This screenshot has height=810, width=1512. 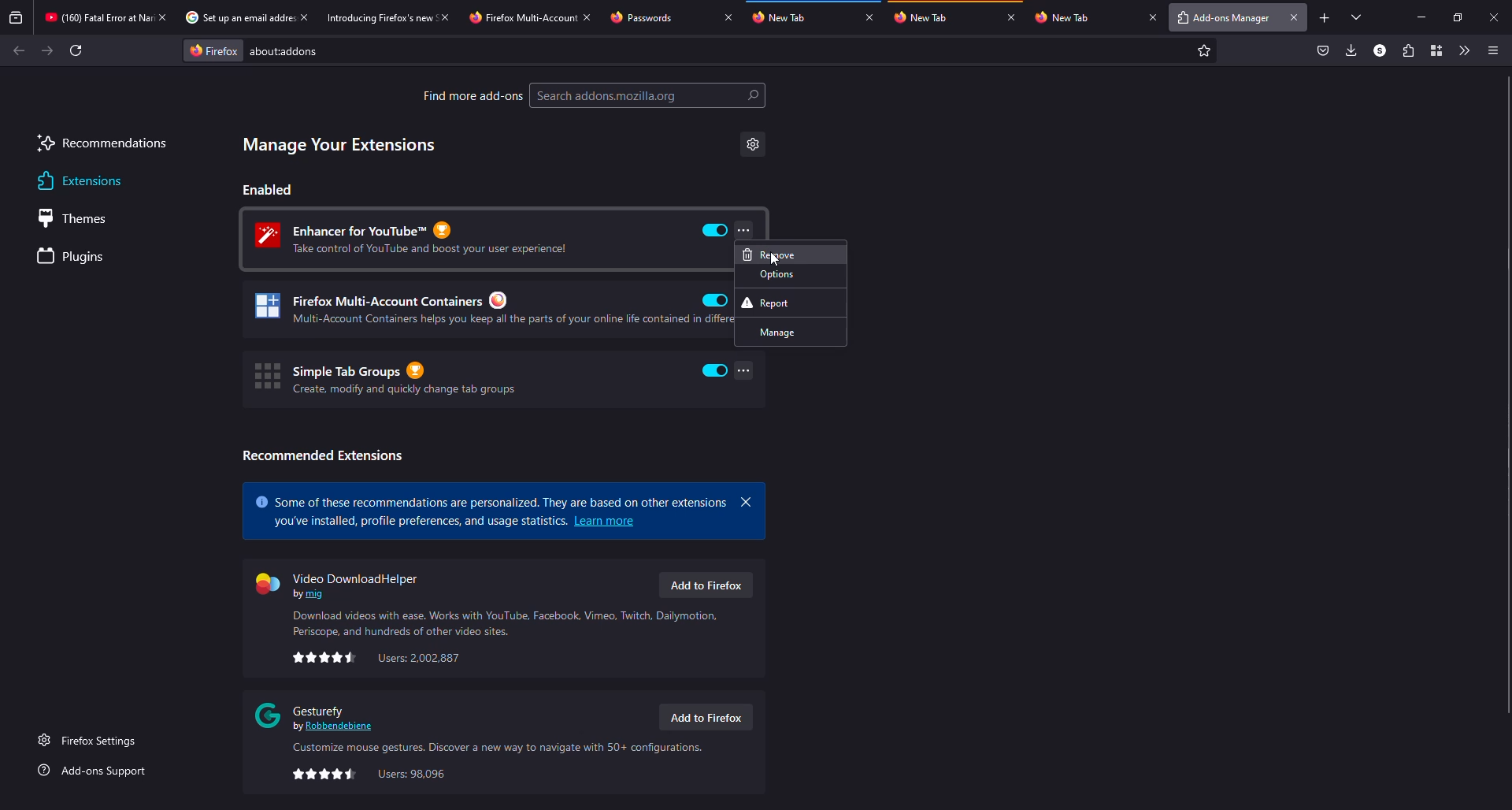 I want to click on report, so click(x=790, y=303).